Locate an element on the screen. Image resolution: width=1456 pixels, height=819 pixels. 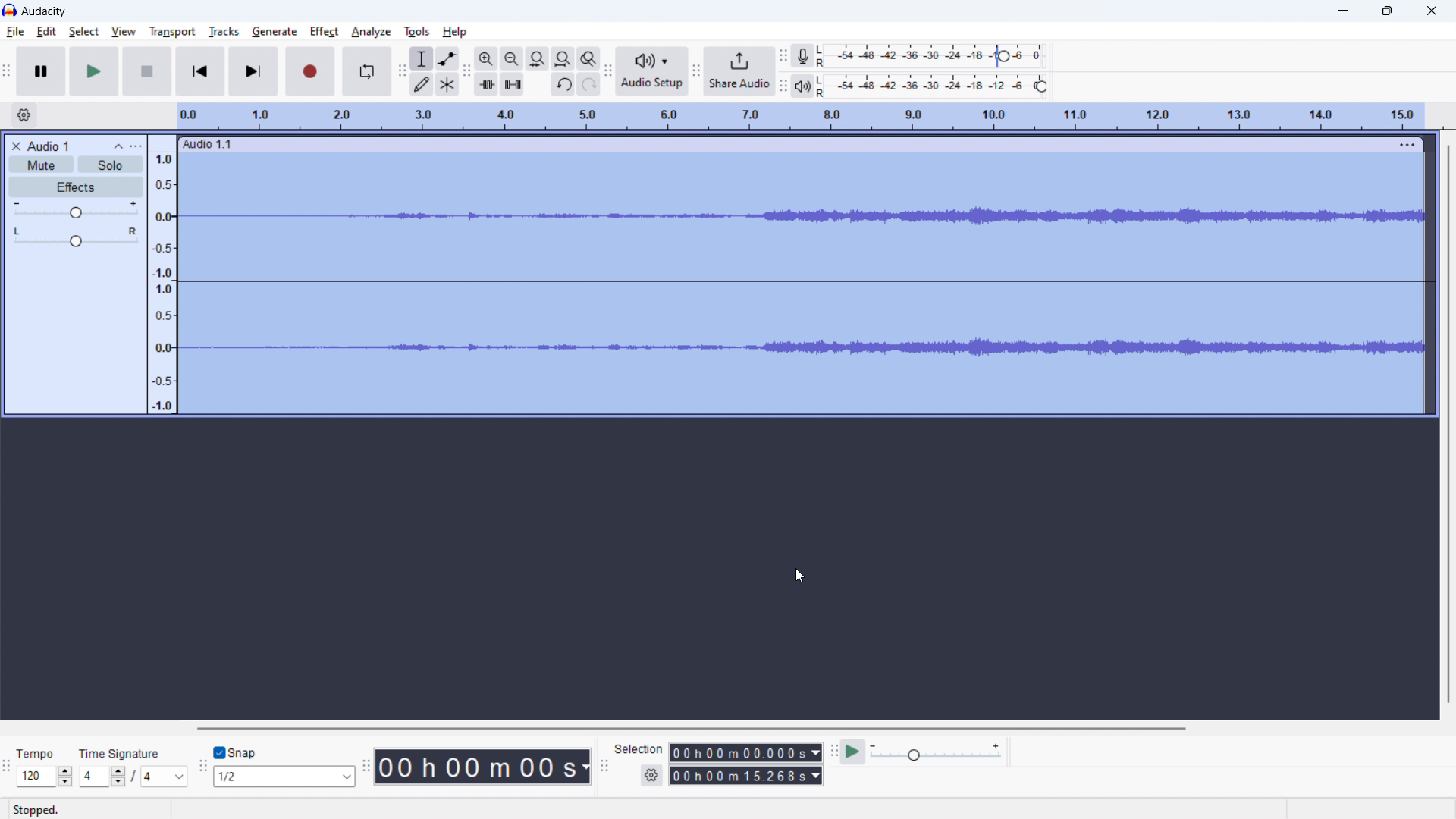
generate is located at coordinates (275, 32).